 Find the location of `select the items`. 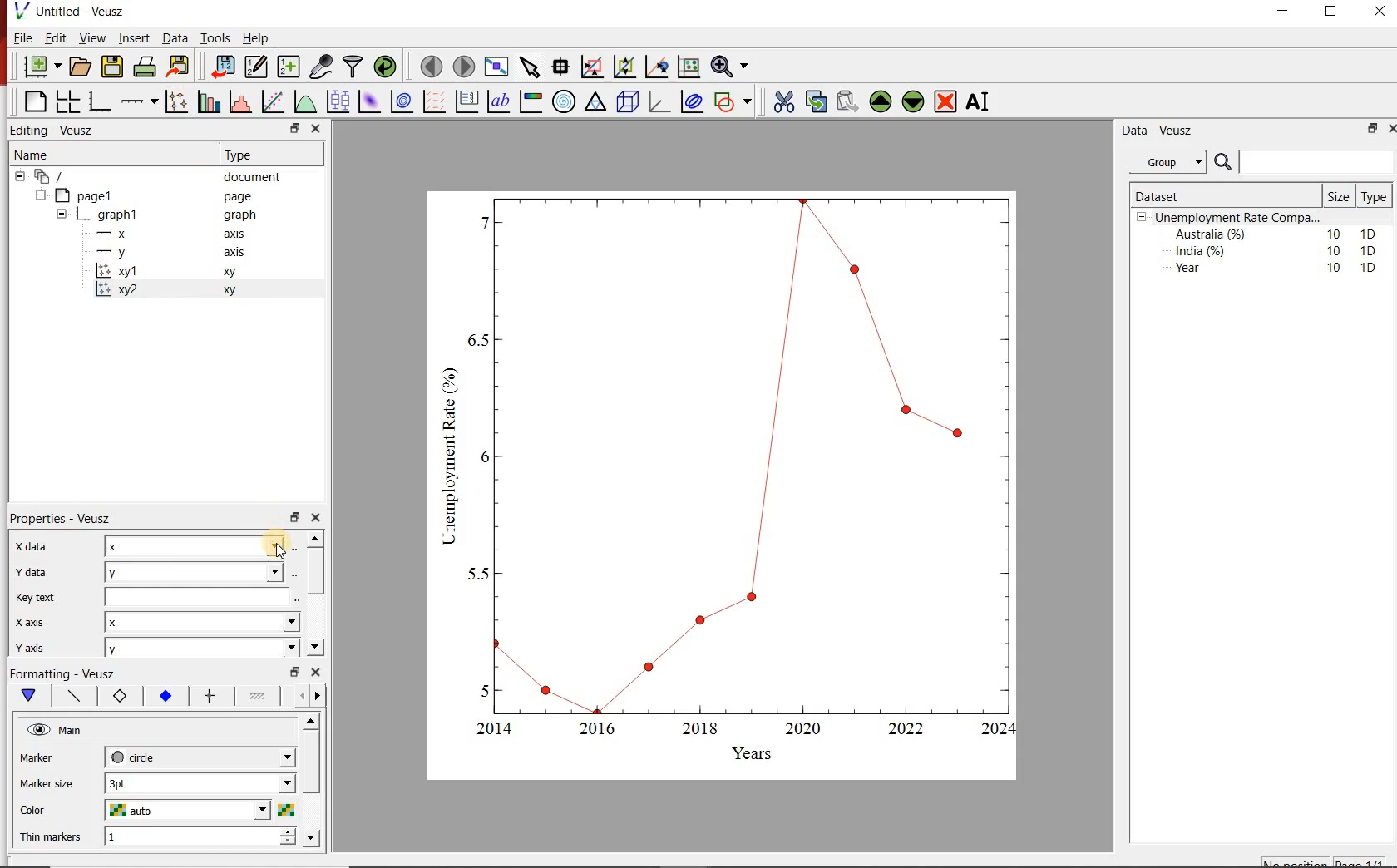

select the items is located at coordinates (531, 65).